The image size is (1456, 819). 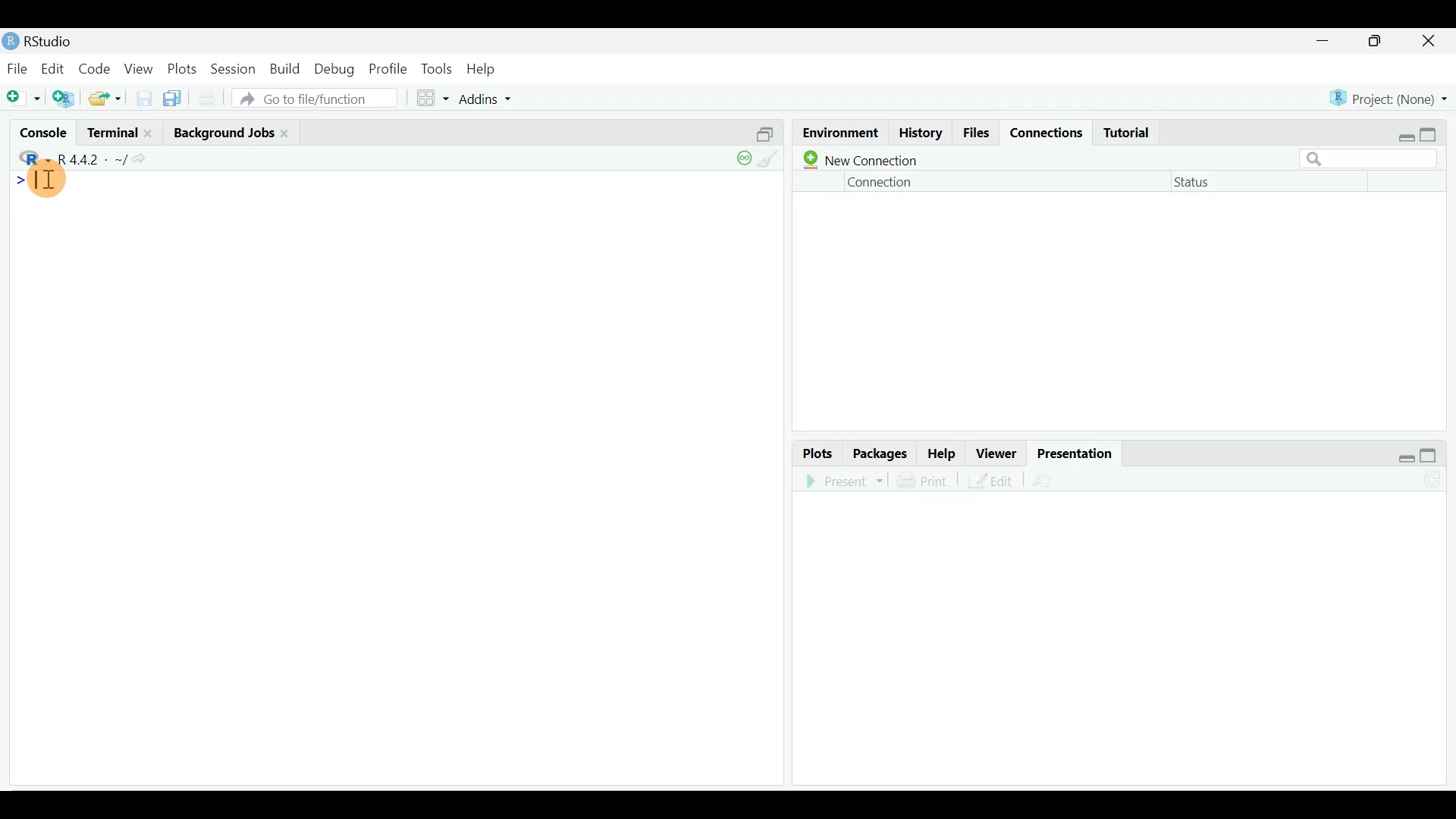 What do you see at coordinates (878, 185) in the screenshot?
I see `Connection` at bounding box center [878, 185].